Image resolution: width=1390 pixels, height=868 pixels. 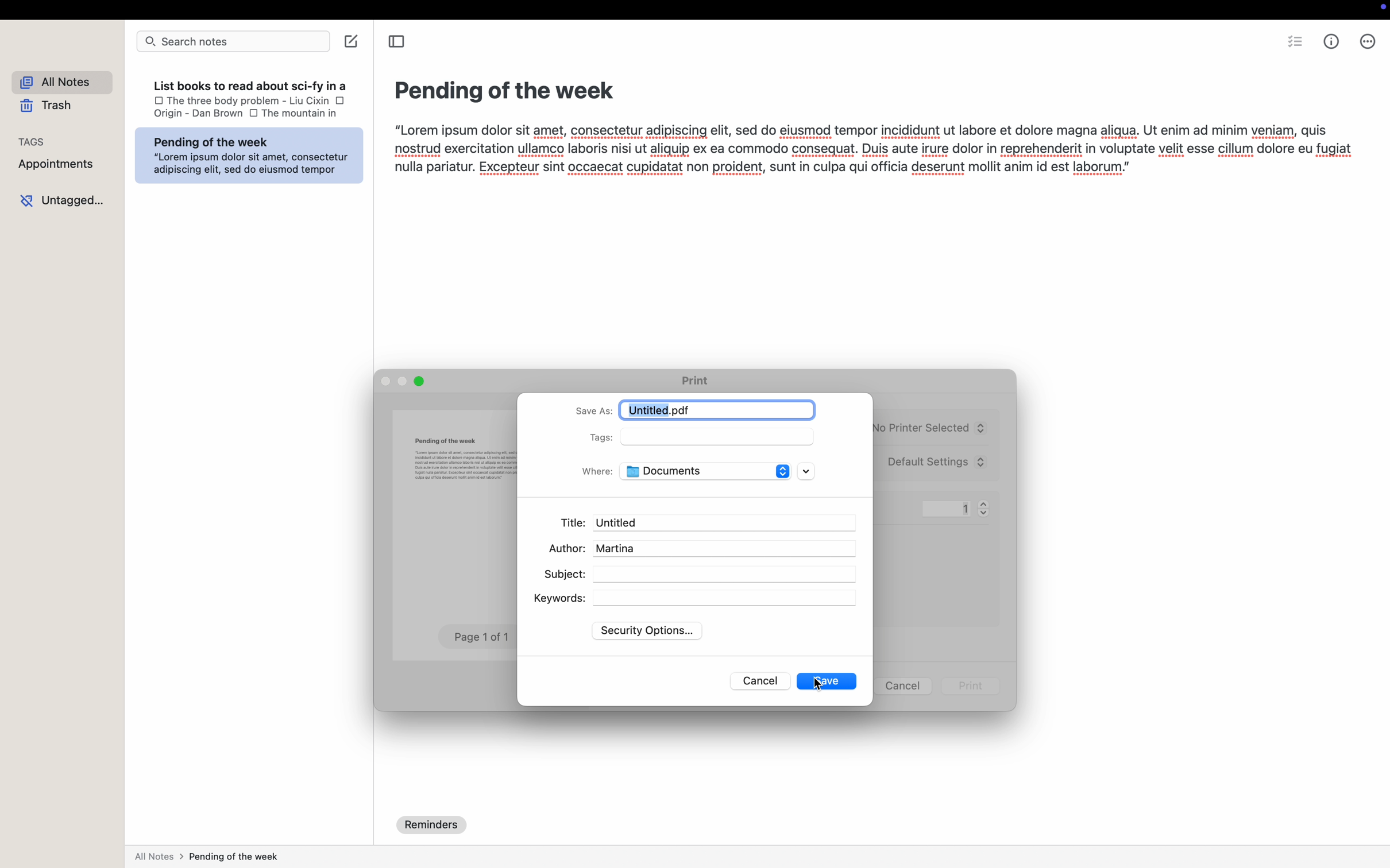 I want to click on martina, so click(x=728, y=549).